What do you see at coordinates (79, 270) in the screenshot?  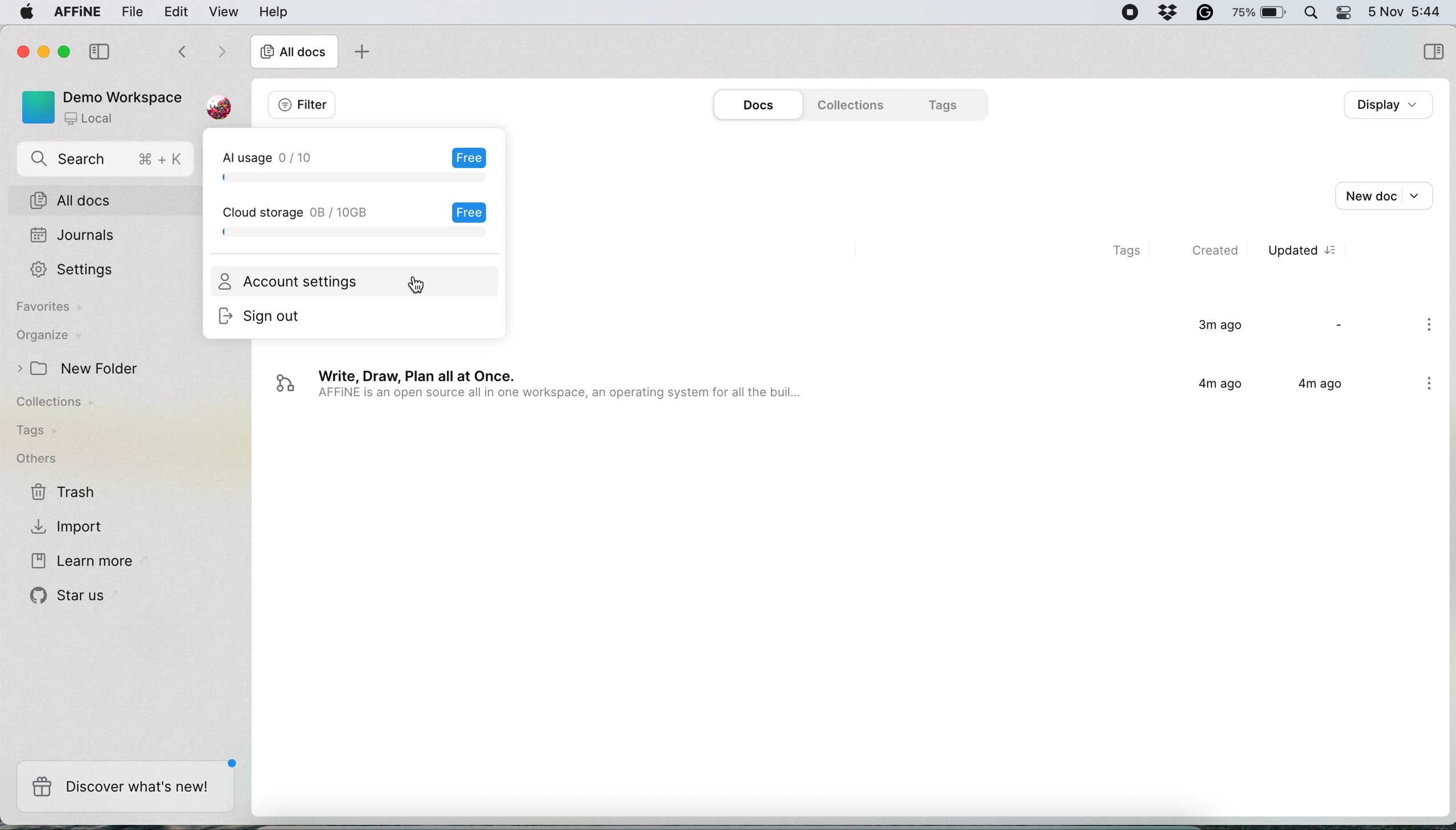 I see `settings` at bounding box center [79, 270].